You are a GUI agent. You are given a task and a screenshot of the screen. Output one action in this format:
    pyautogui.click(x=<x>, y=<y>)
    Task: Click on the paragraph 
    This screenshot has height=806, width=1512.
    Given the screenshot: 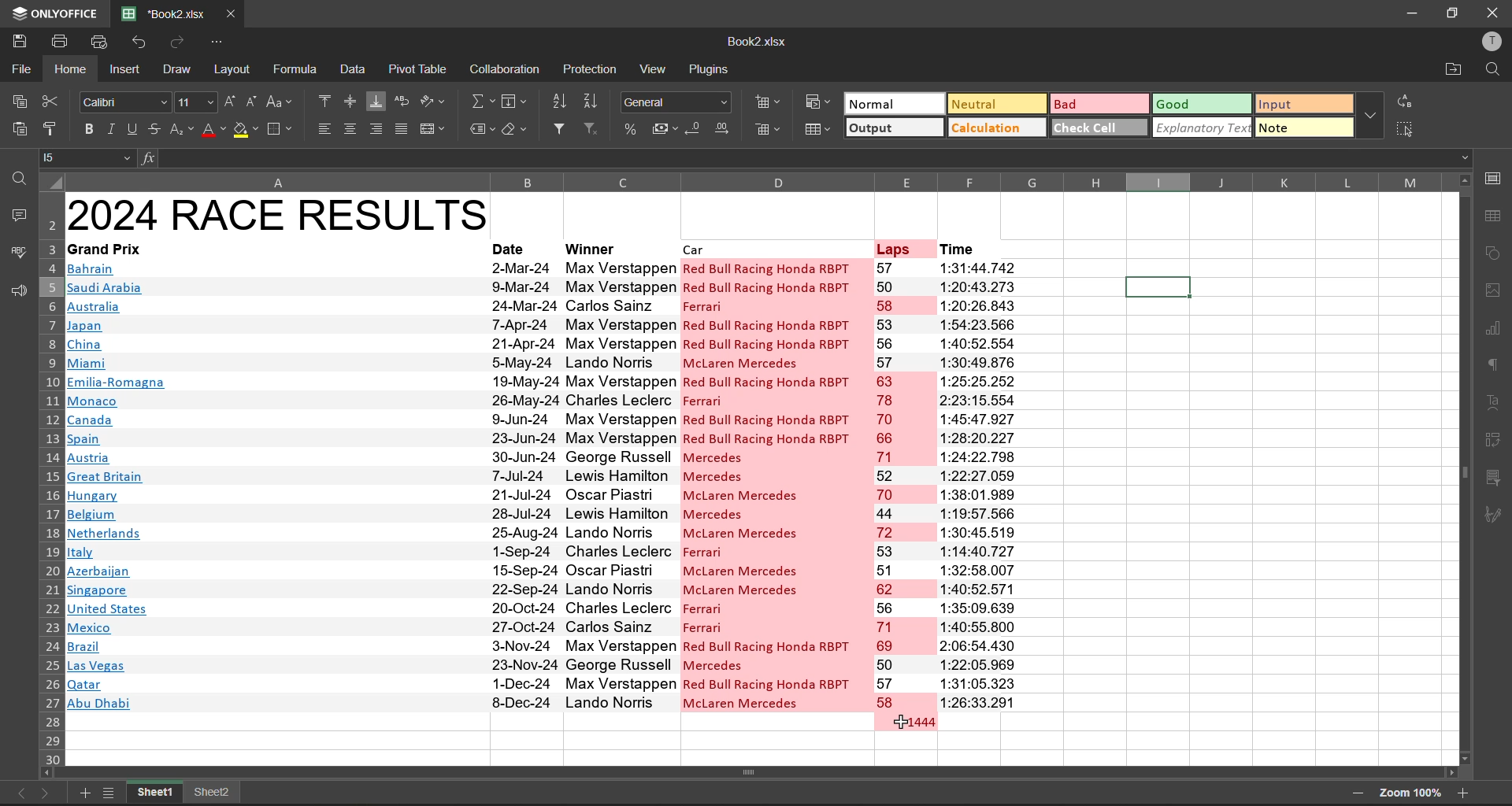 What is the action you would take?
    pyautogui.click(x=1492, y=367)
    